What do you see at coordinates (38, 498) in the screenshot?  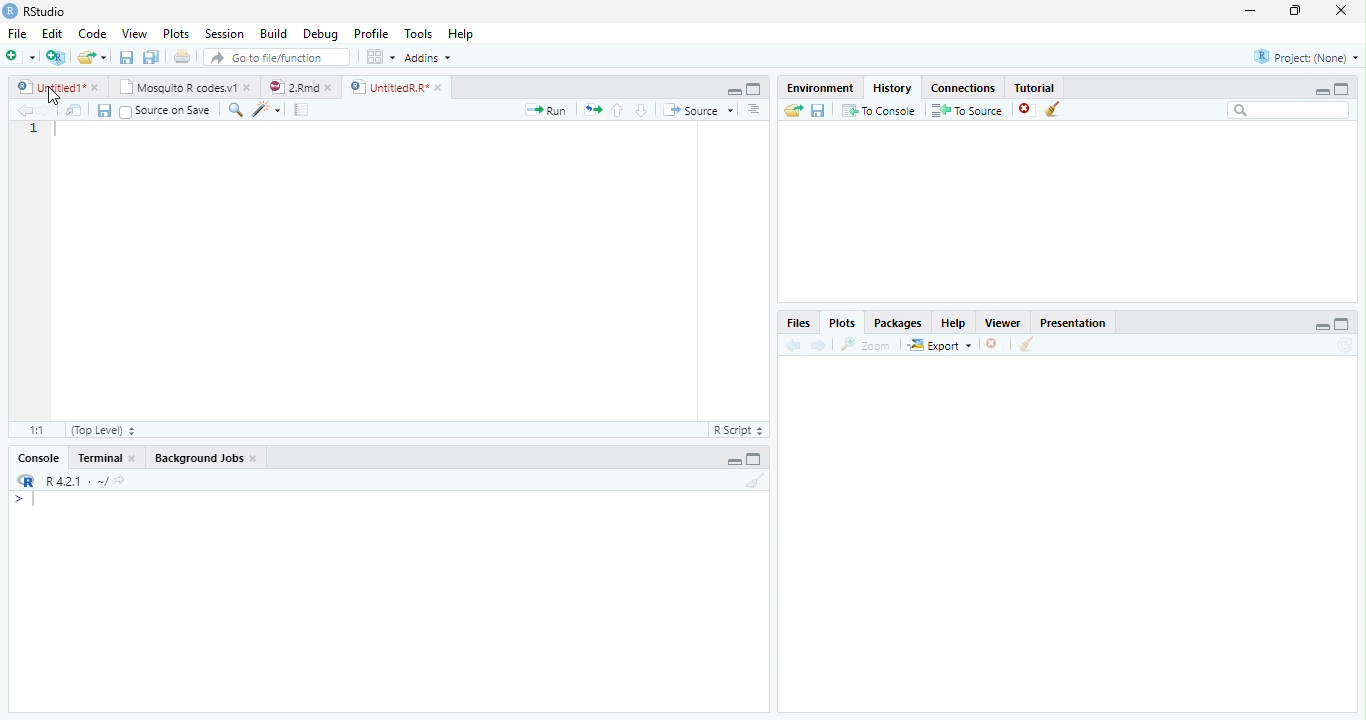 I see `Cursor` at bounding box center [38, 498].